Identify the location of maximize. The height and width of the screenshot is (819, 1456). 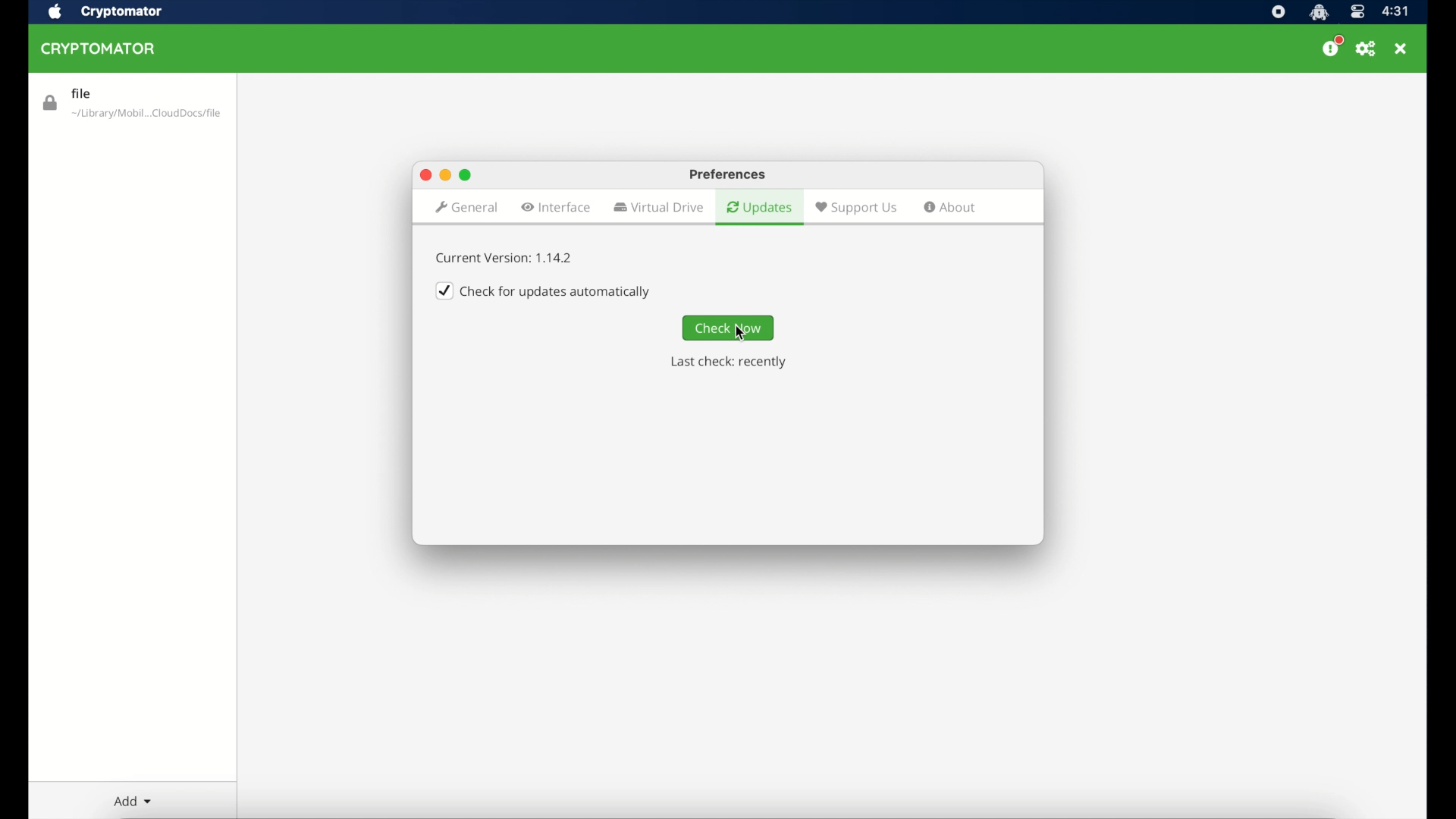
(466, 174).